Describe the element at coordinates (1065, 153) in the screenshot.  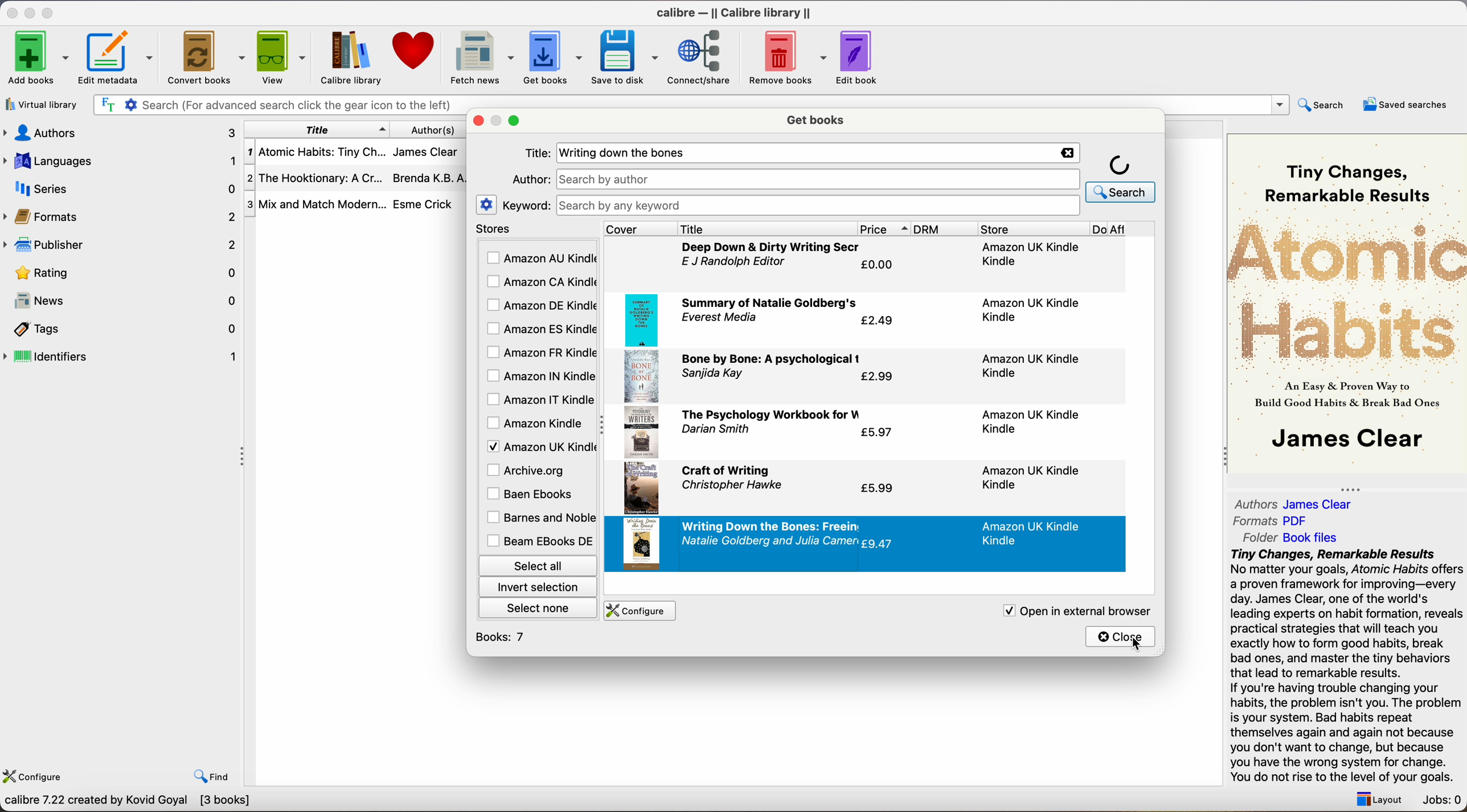
I see `clear` at that location.